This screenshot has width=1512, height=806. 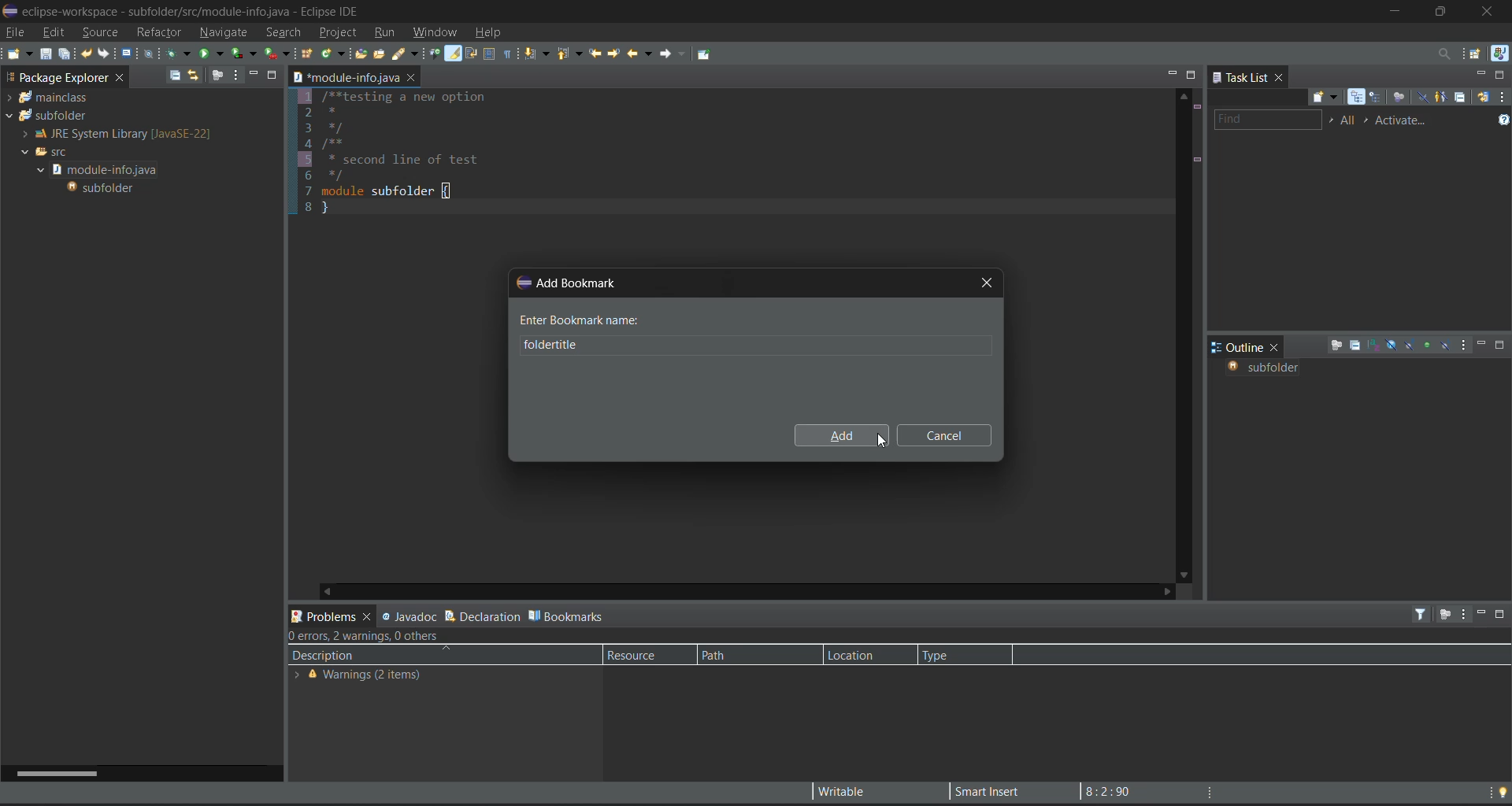 I want to click on path, so click(x=736, y=655).